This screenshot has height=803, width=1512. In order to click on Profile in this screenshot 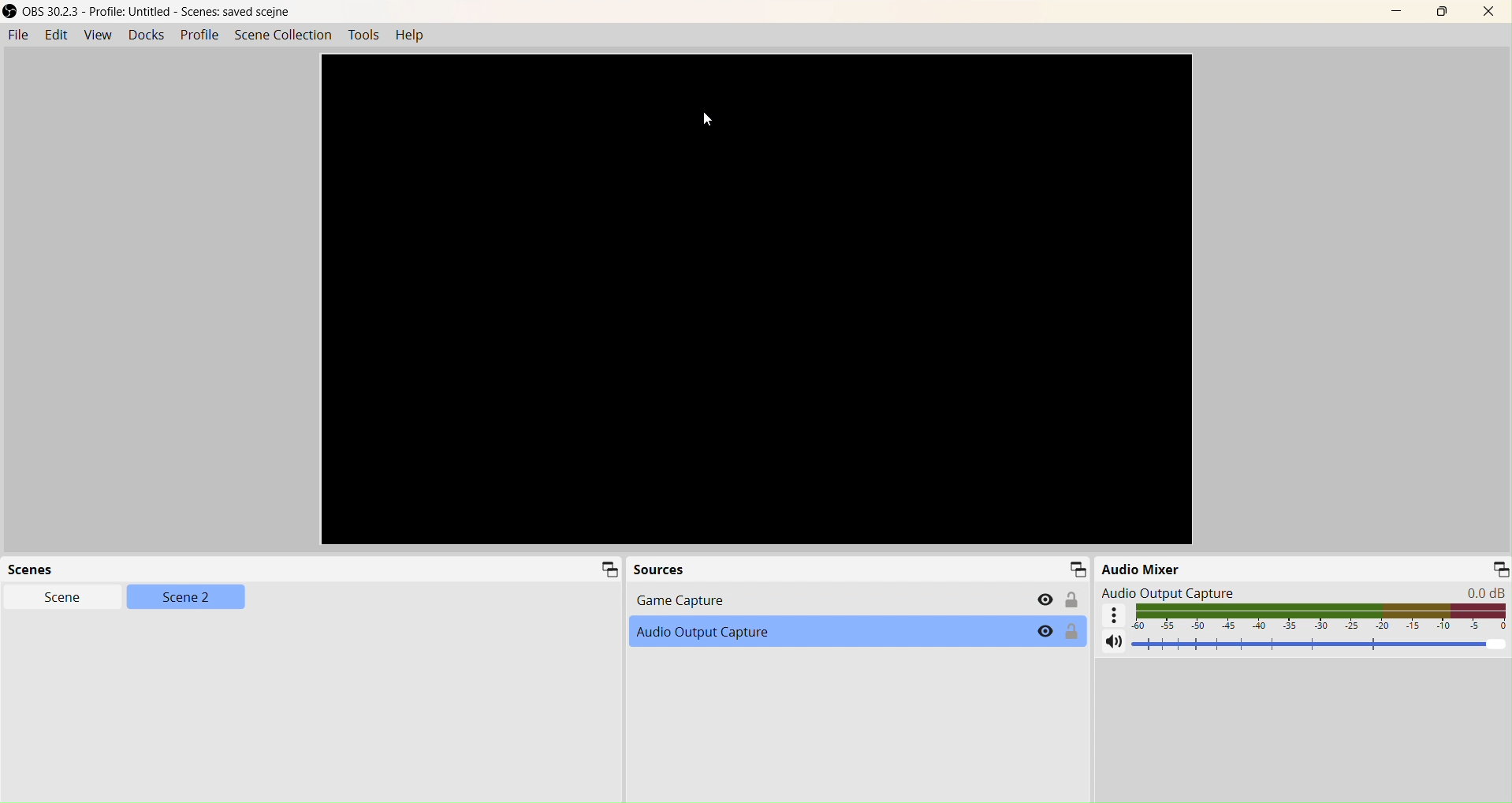, I will do `click(202, 37)`.